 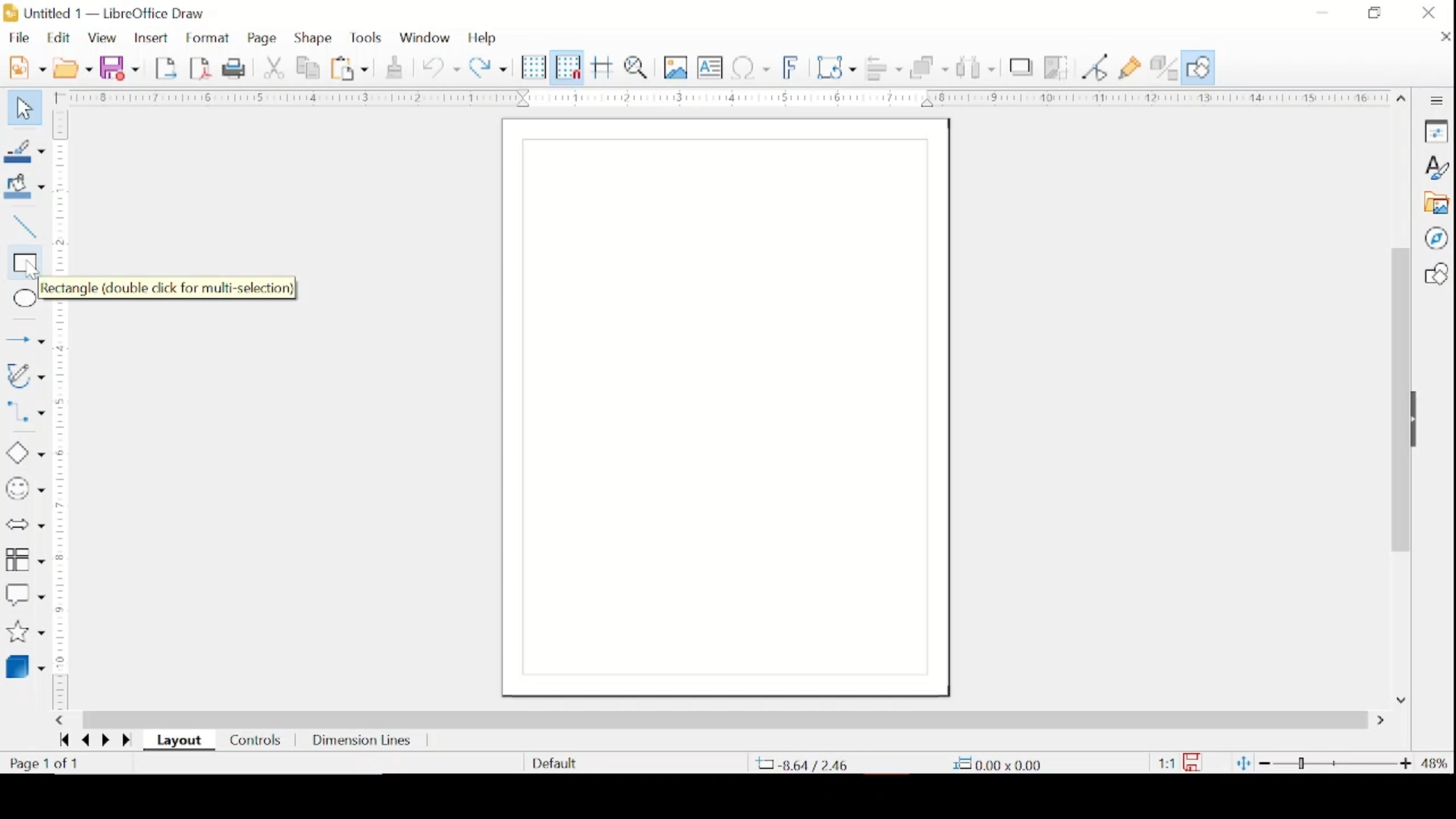 What do you see at coordinates (1058, 69) in the screenshot?
I see `crop image` at bounding box center [1058, 69].